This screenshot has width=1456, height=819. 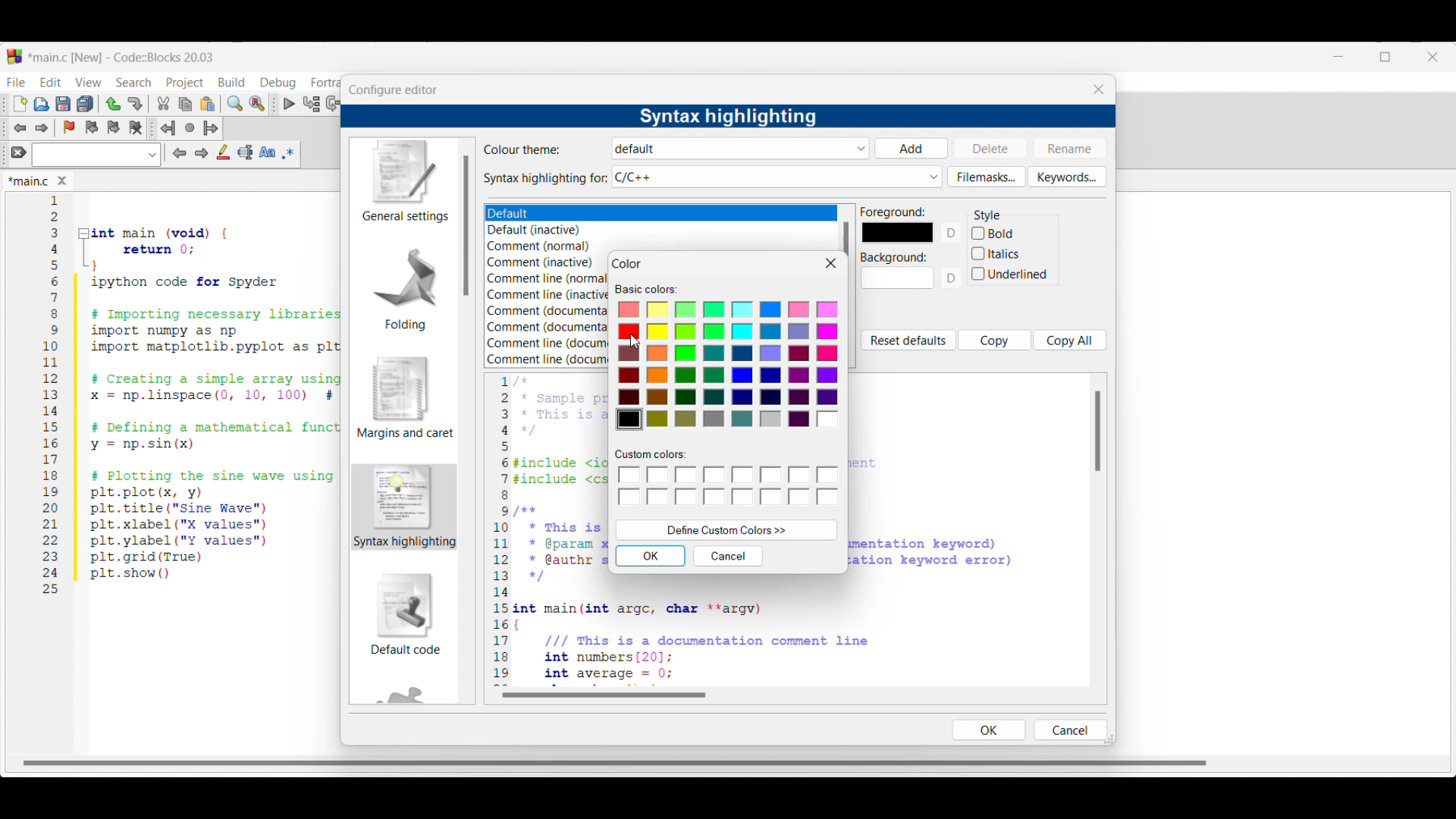 I want to click on Default code, so click(x=406, y=613).